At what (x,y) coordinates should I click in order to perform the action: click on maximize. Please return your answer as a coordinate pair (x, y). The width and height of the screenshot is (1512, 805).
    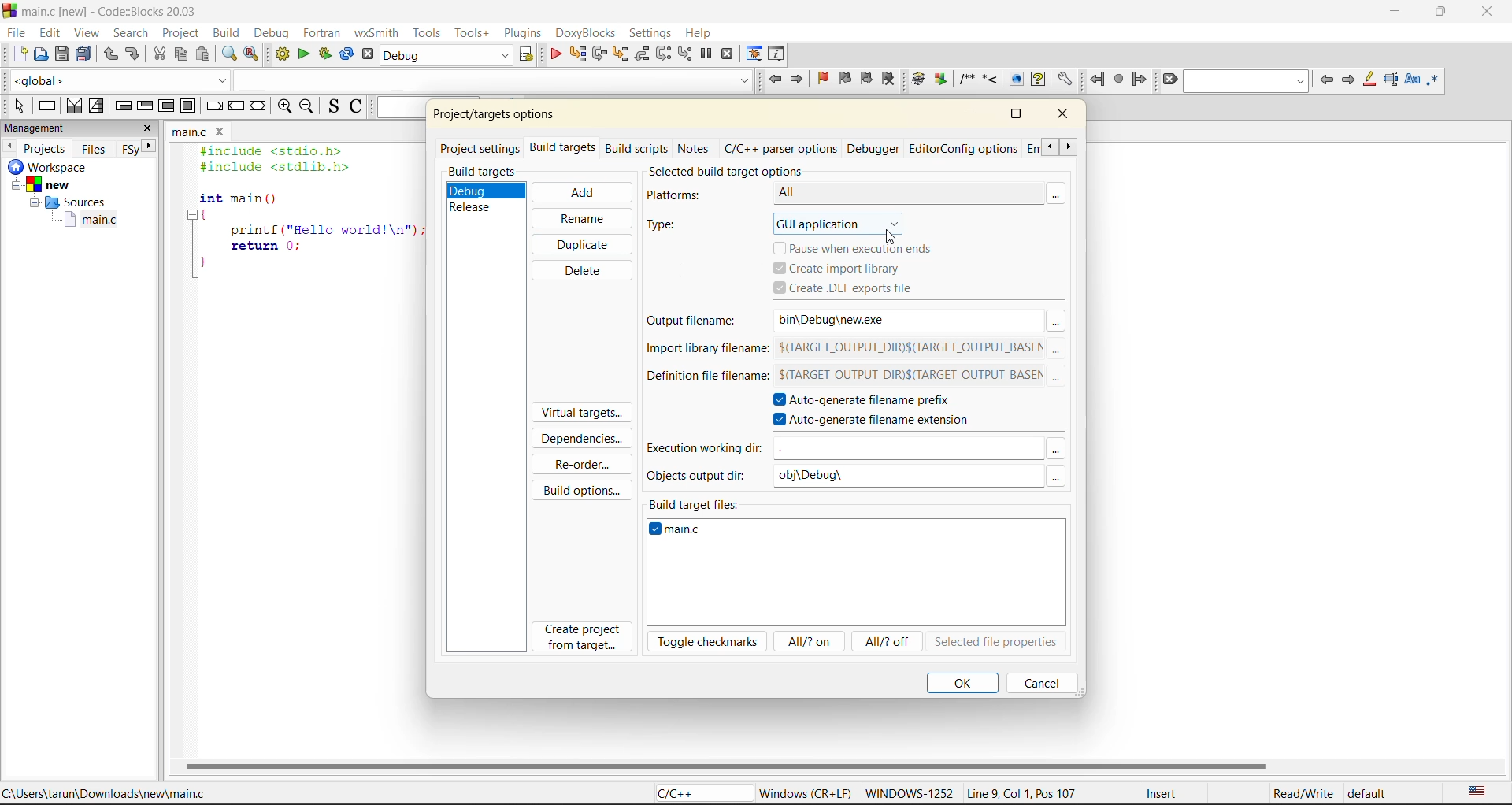
    Looking at the image, I should click on (1015, 113).